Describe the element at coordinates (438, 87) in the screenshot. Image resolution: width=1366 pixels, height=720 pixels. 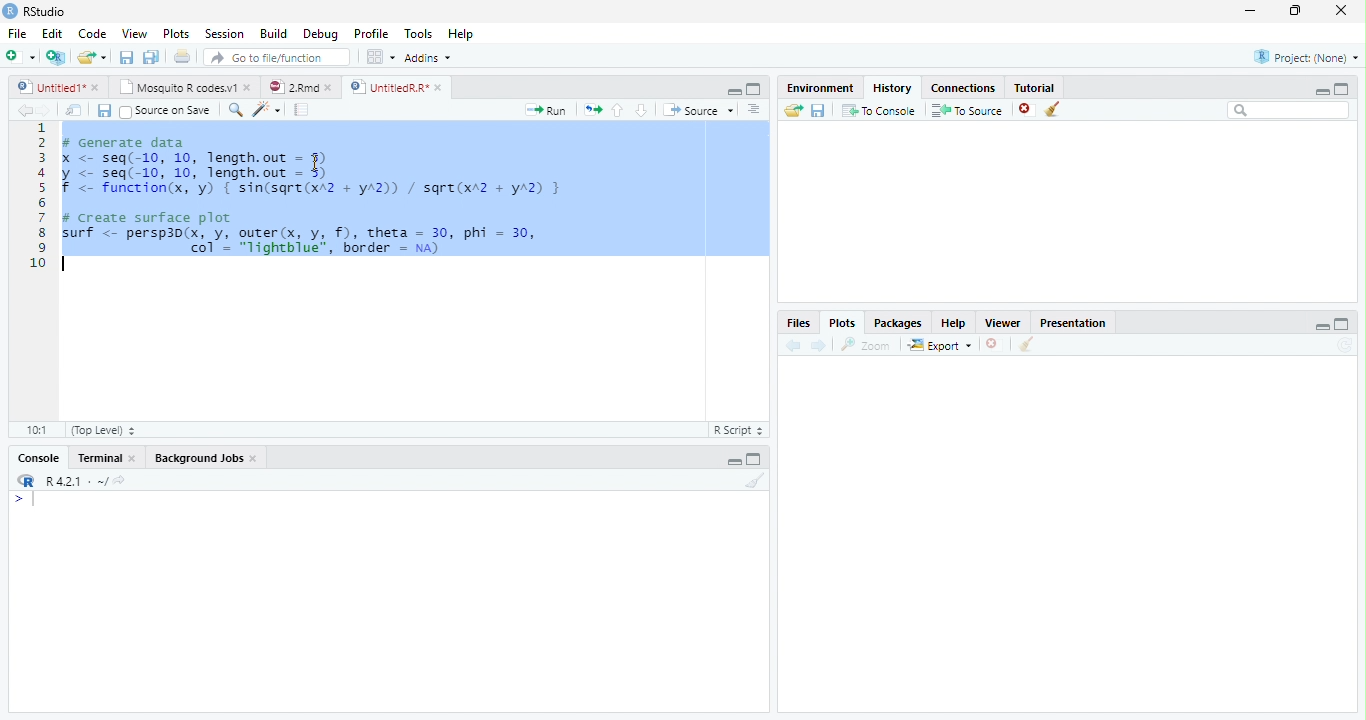
I see `close` at that location.